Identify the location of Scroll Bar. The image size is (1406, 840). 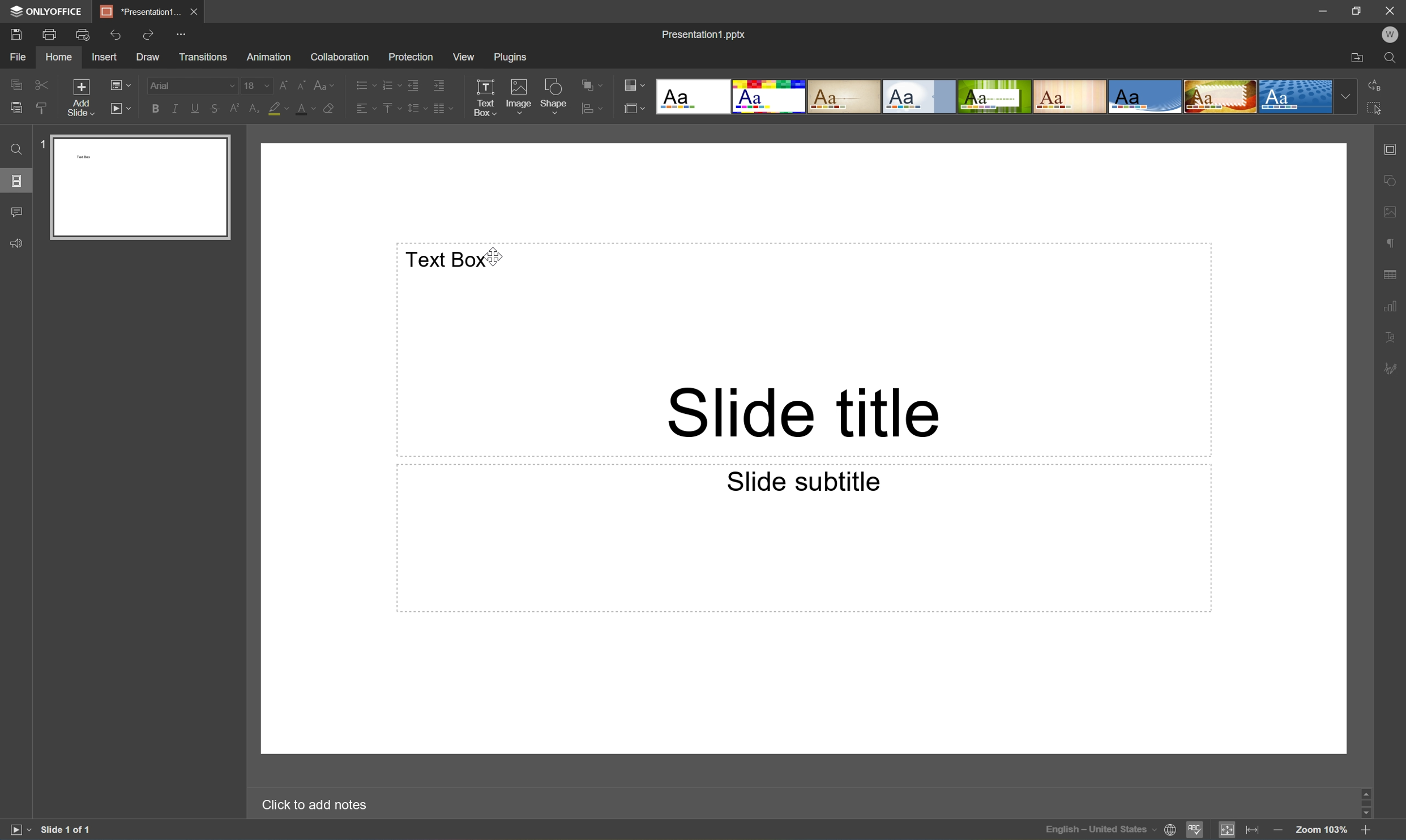
(1368, 800).